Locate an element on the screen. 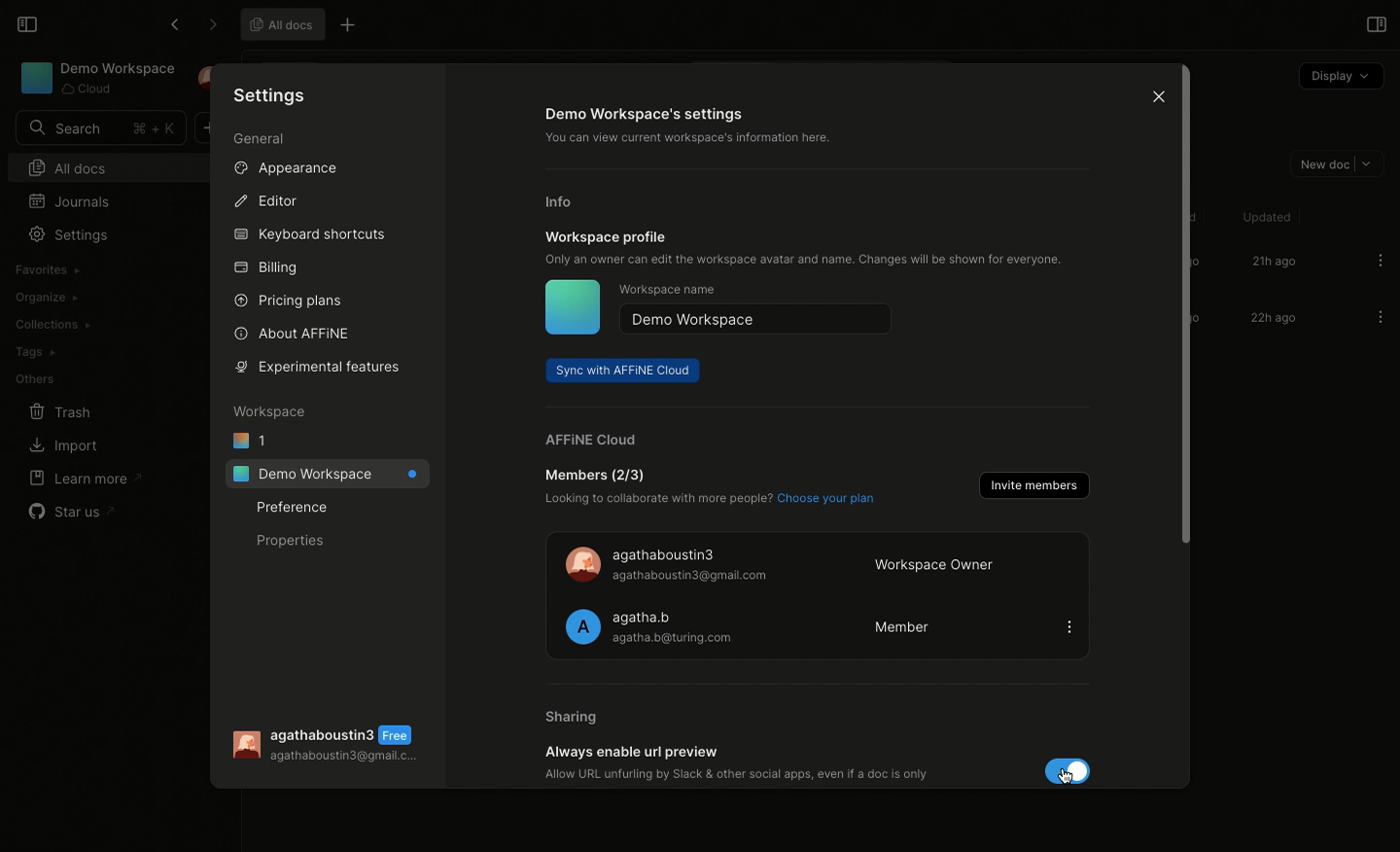 The image size is (1400, 852). Icon is located at coordinates (572, 307).